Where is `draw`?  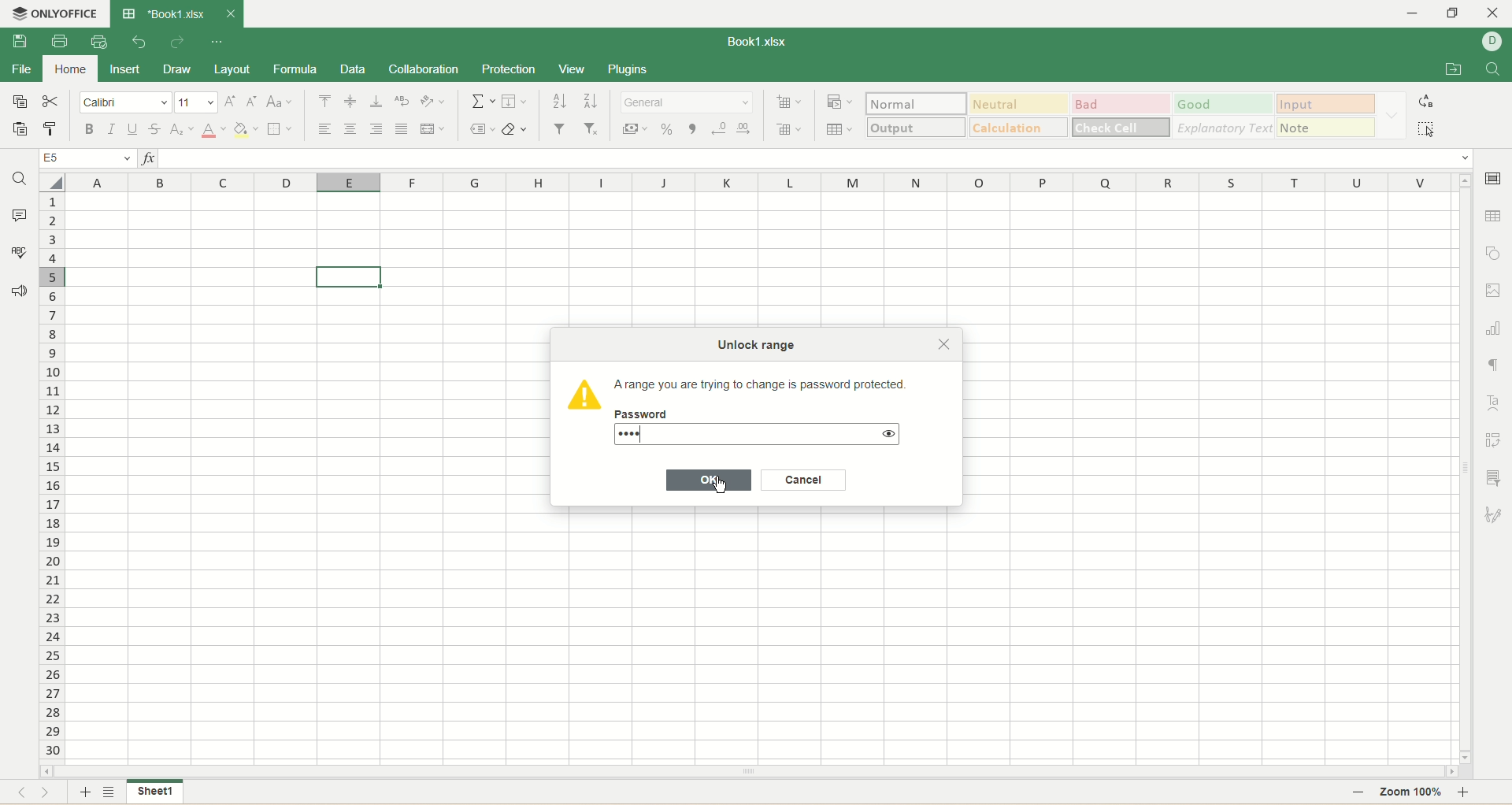 draw is located at coordinates (182, 70).